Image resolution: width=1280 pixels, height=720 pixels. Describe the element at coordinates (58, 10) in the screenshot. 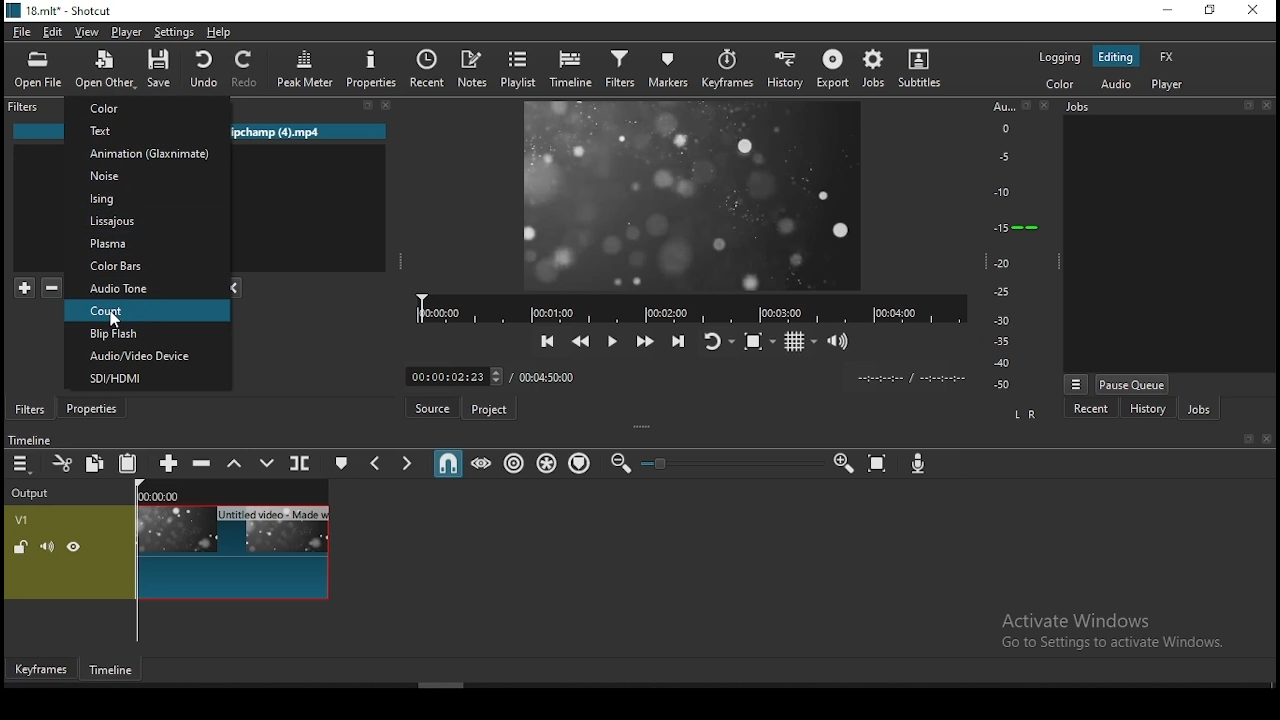

I see `18.mit* - Shotcut` at that location.